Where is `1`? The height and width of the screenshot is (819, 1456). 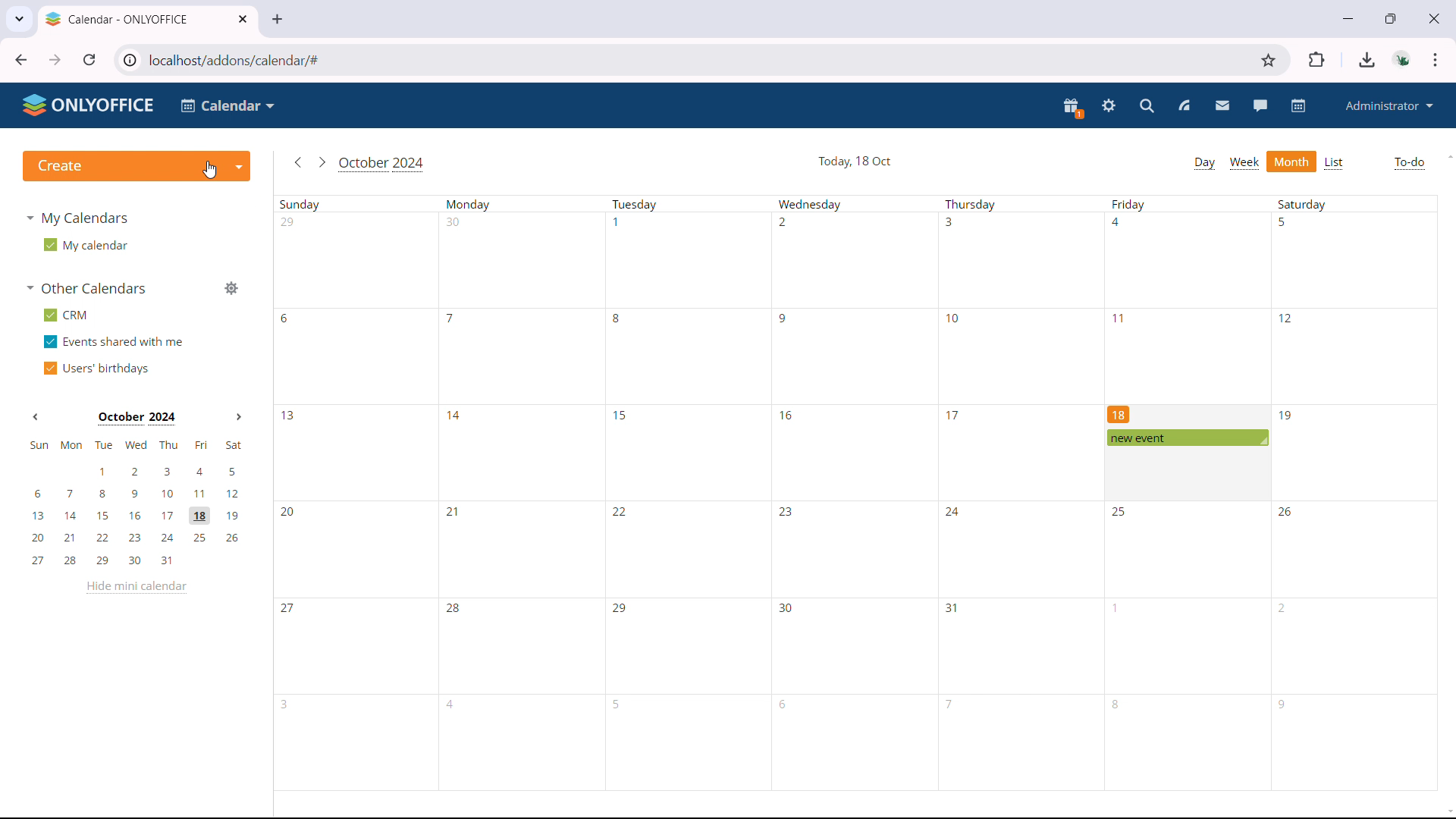
1 is located at coordinates (617, 221).